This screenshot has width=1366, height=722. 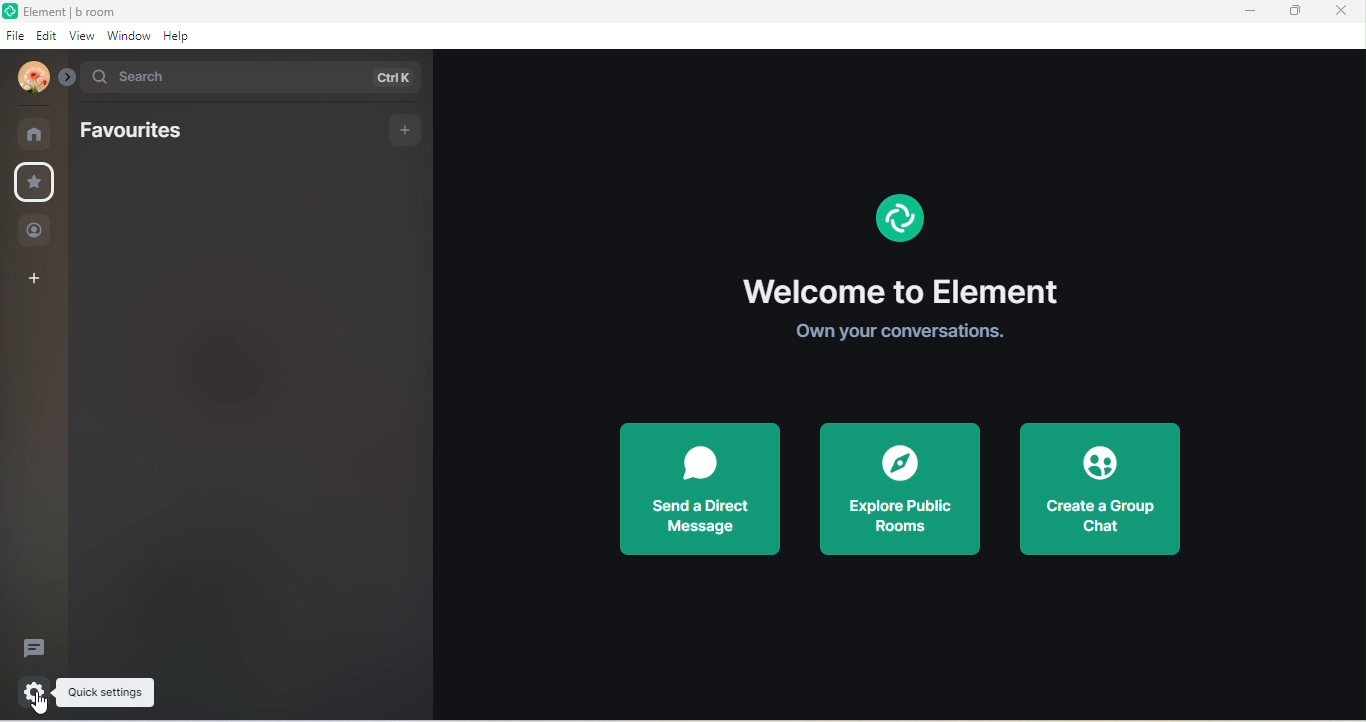 What do you see at coordinates (14, 37) in the screenshot?
I see `file` at bounding box center [14, 37].